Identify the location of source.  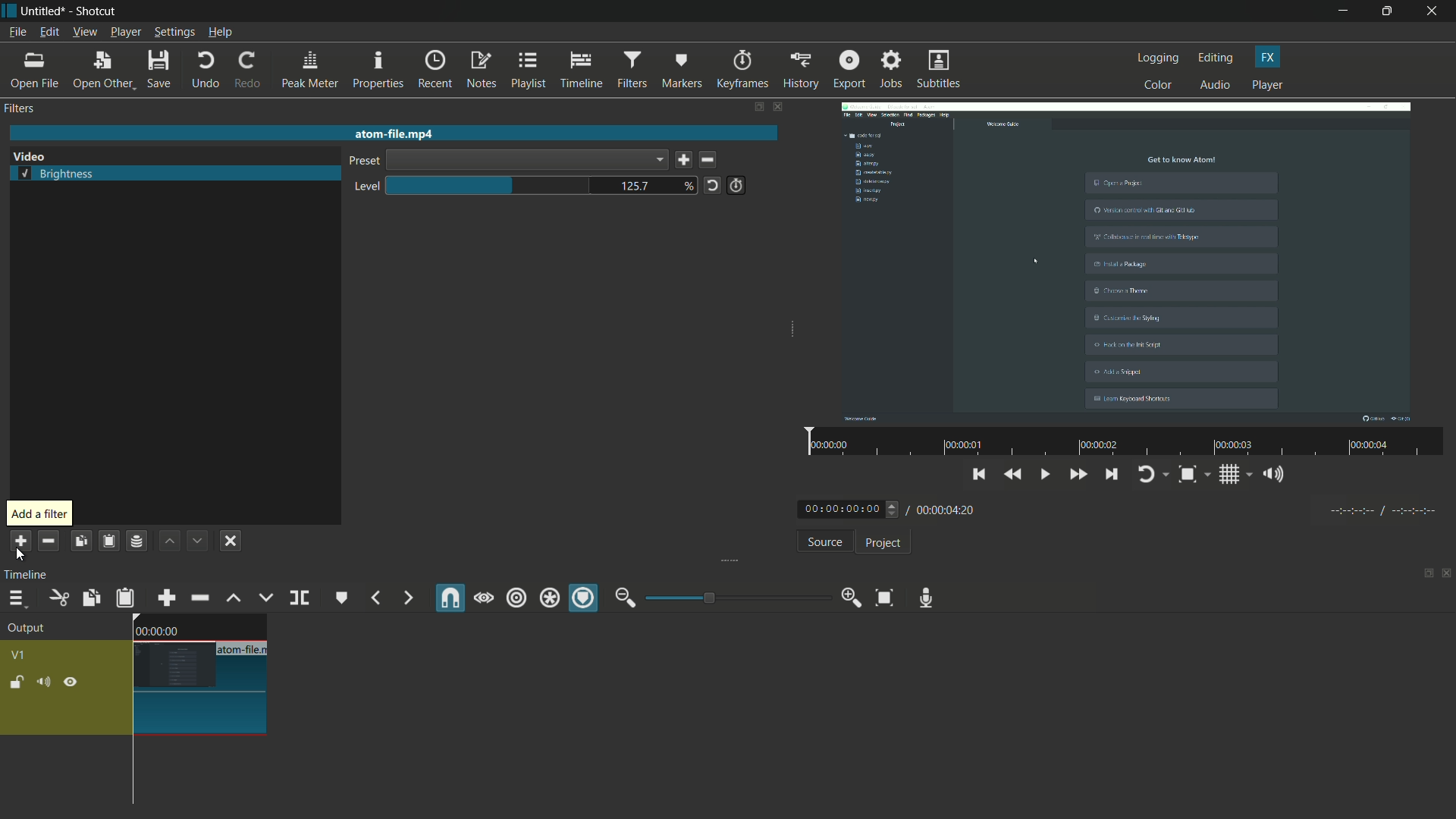
(824, 544).